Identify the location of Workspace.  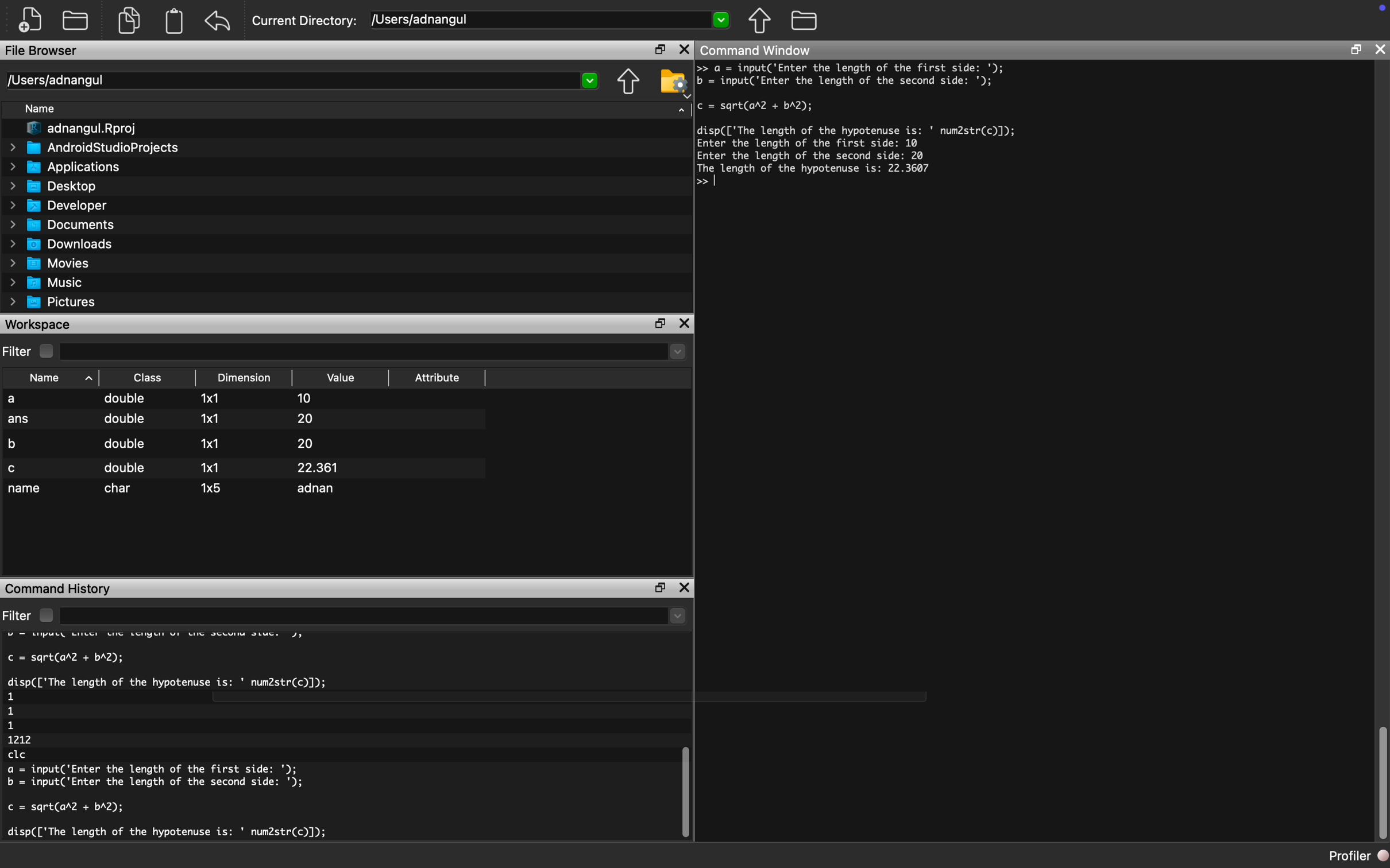
(40, 324).